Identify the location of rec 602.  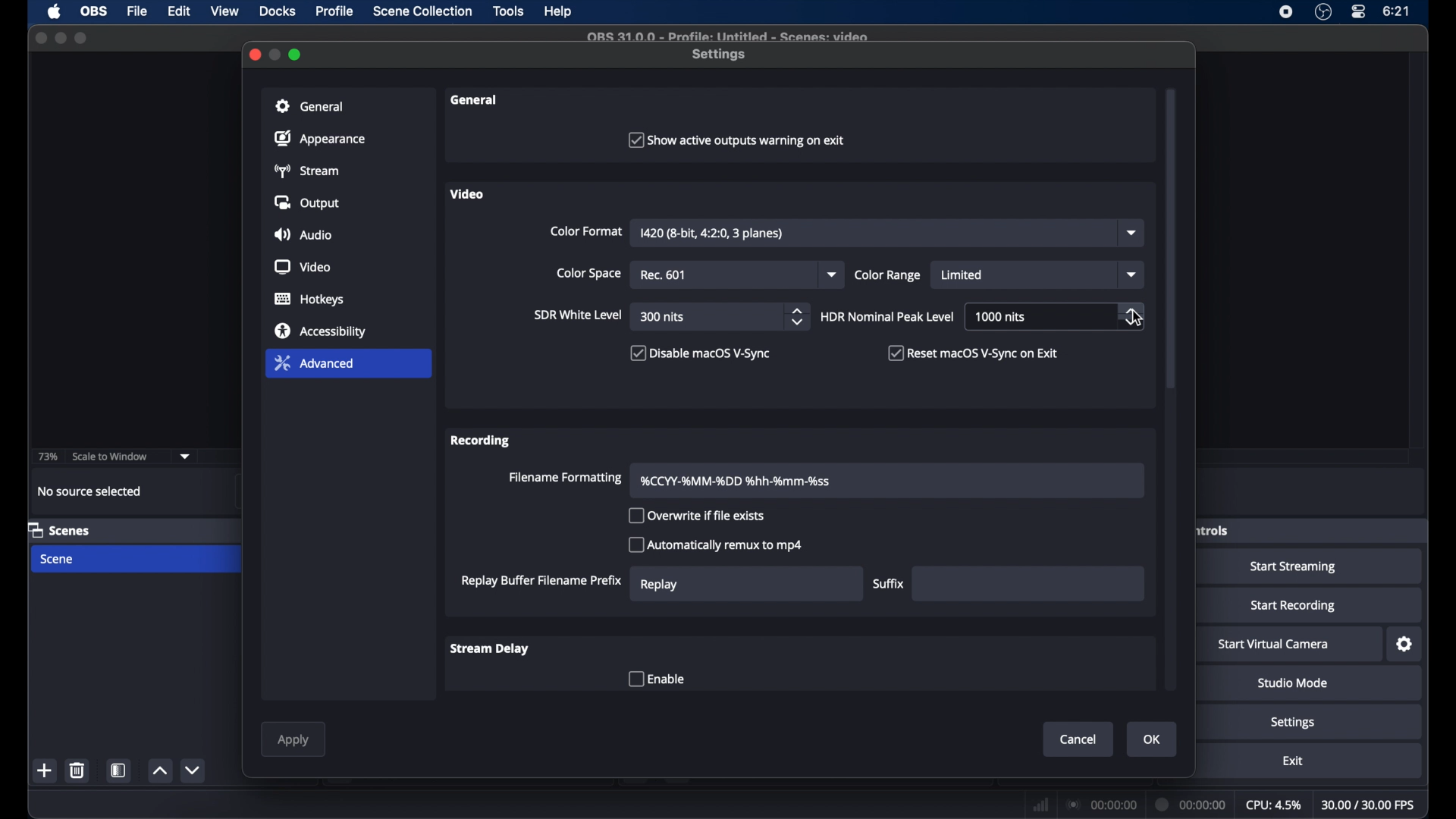
(666, 275).